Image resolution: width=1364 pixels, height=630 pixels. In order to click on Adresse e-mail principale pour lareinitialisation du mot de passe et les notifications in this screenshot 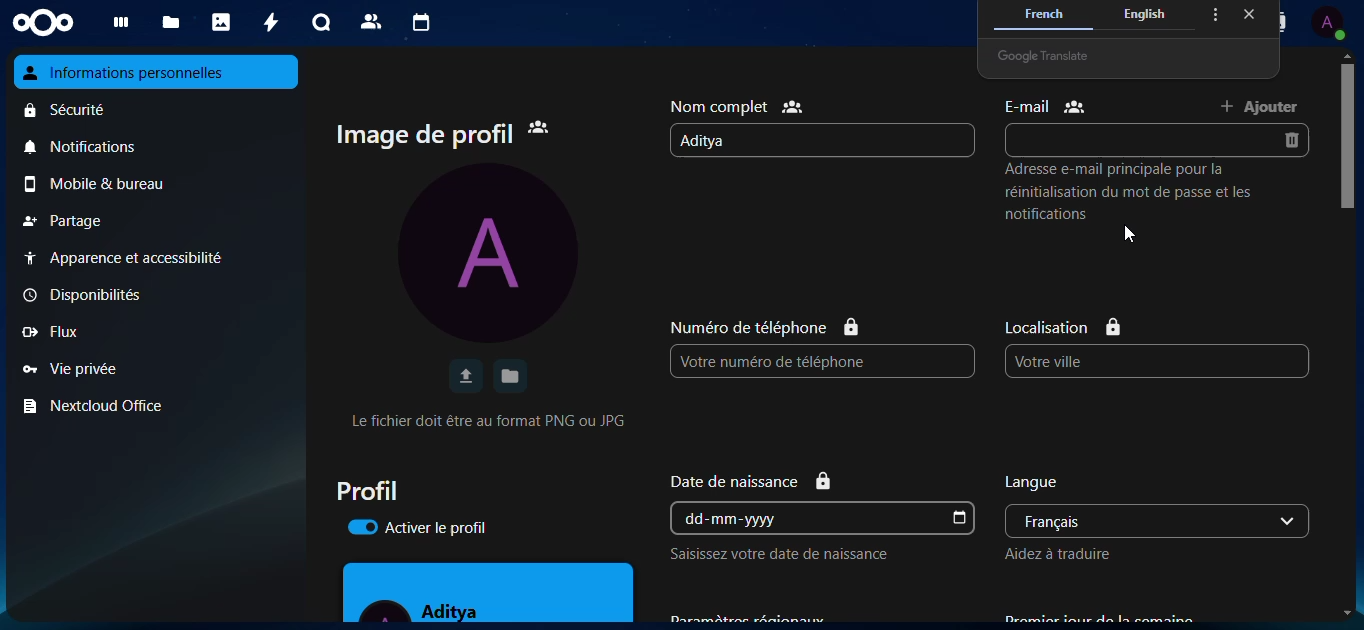, I will do `click(1134, 203)`.